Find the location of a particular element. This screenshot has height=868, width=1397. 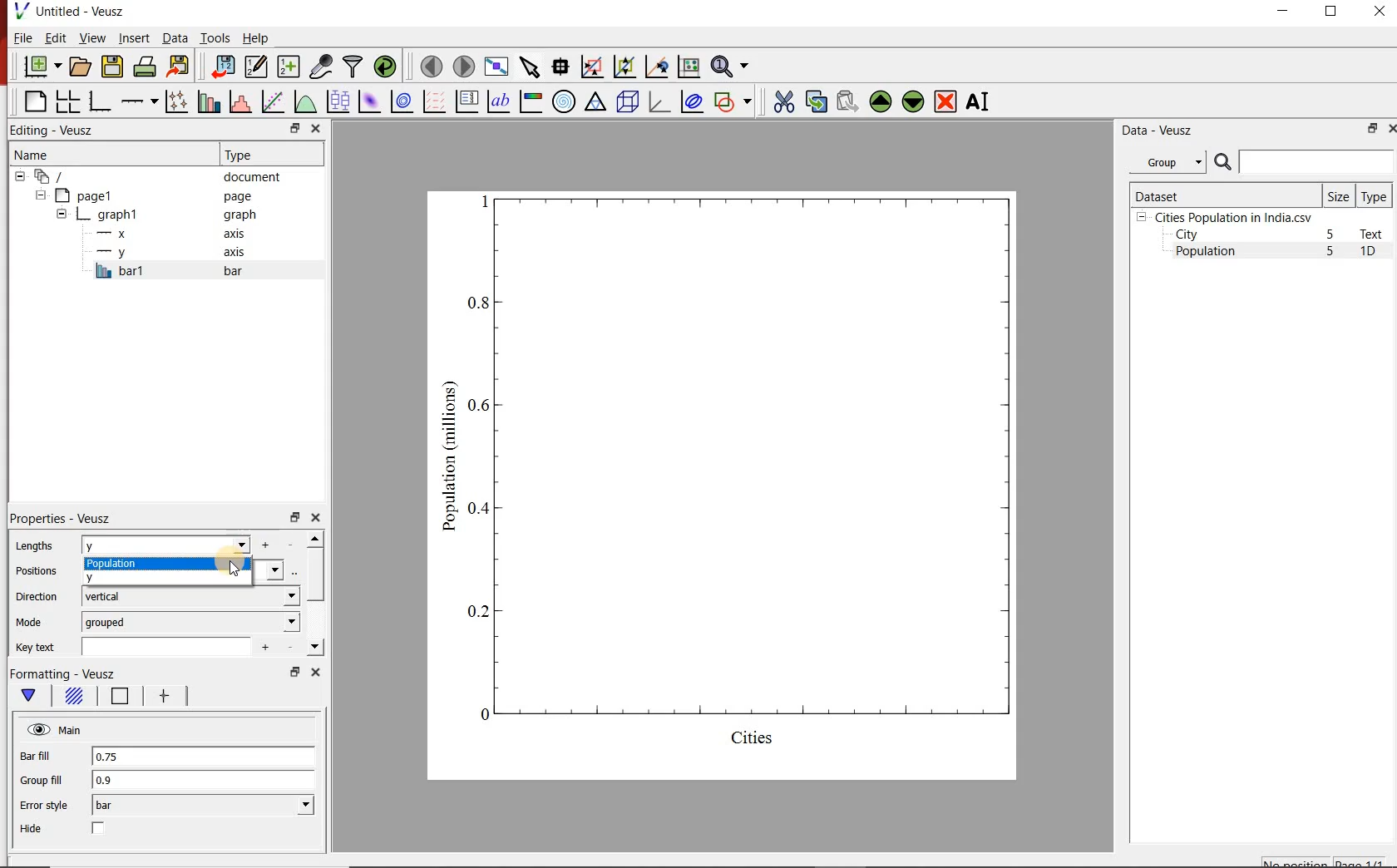

Group datasets with property given is located at coordinates (1167, 161).